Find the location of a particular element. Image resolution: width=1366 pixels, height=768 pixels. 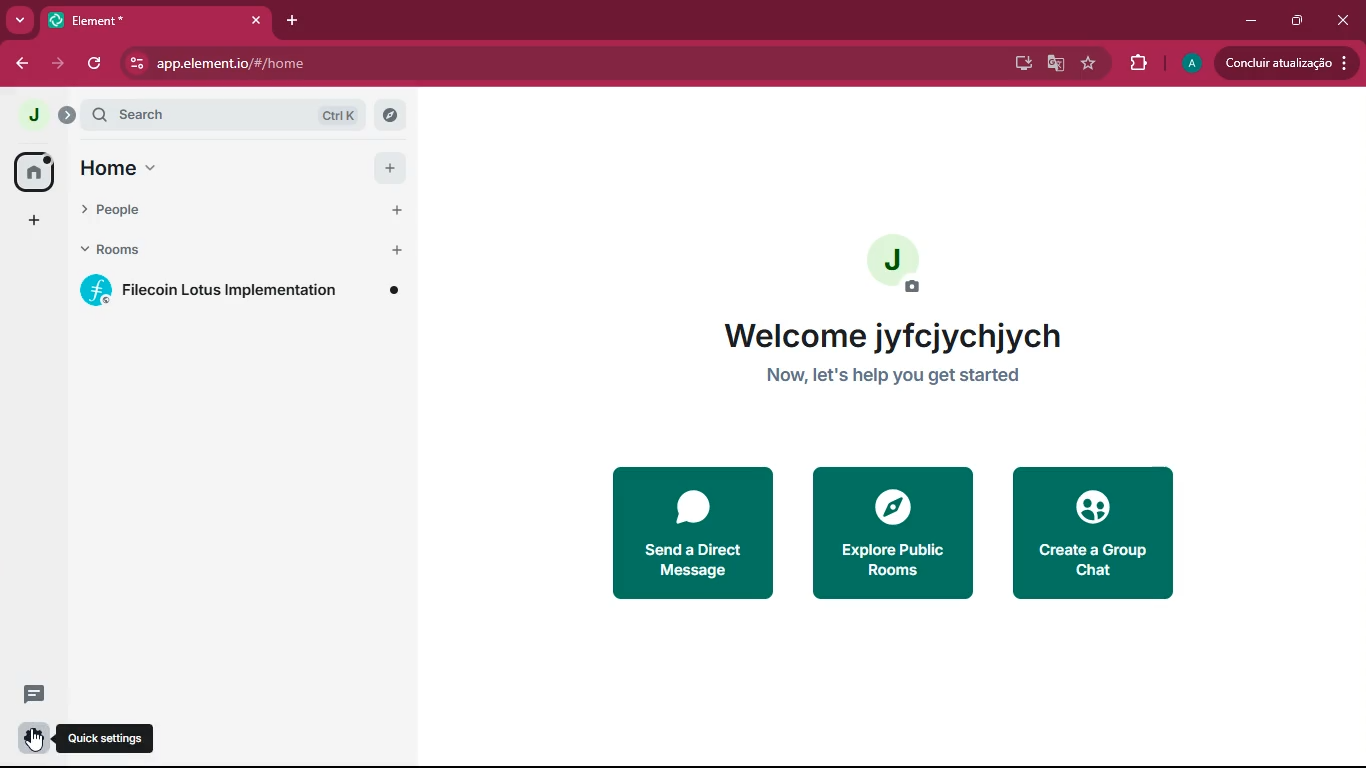

restore down is located at coordinates (1299, 20).